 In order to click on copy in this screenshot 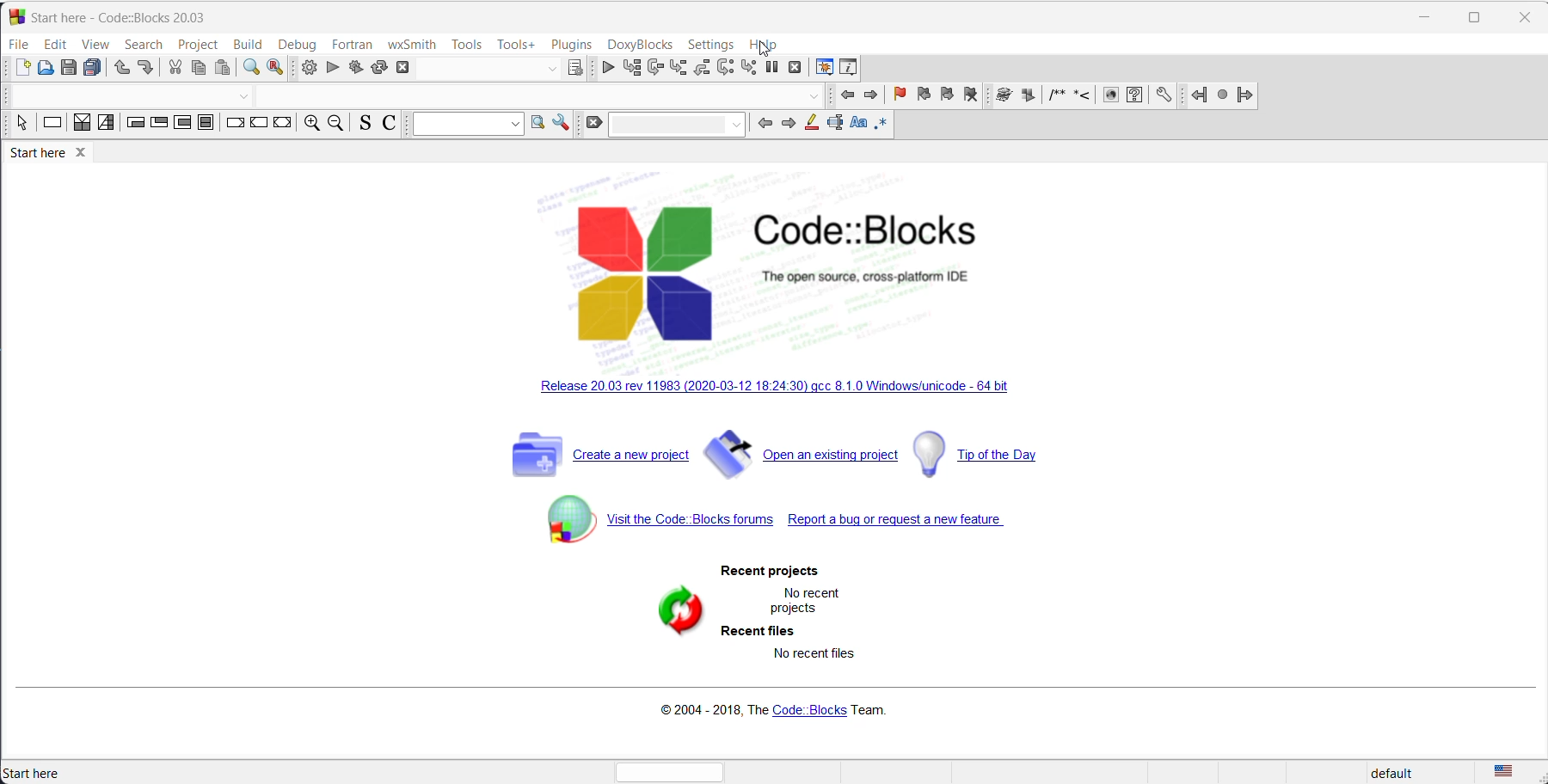, I will do `click(198, 70)`.